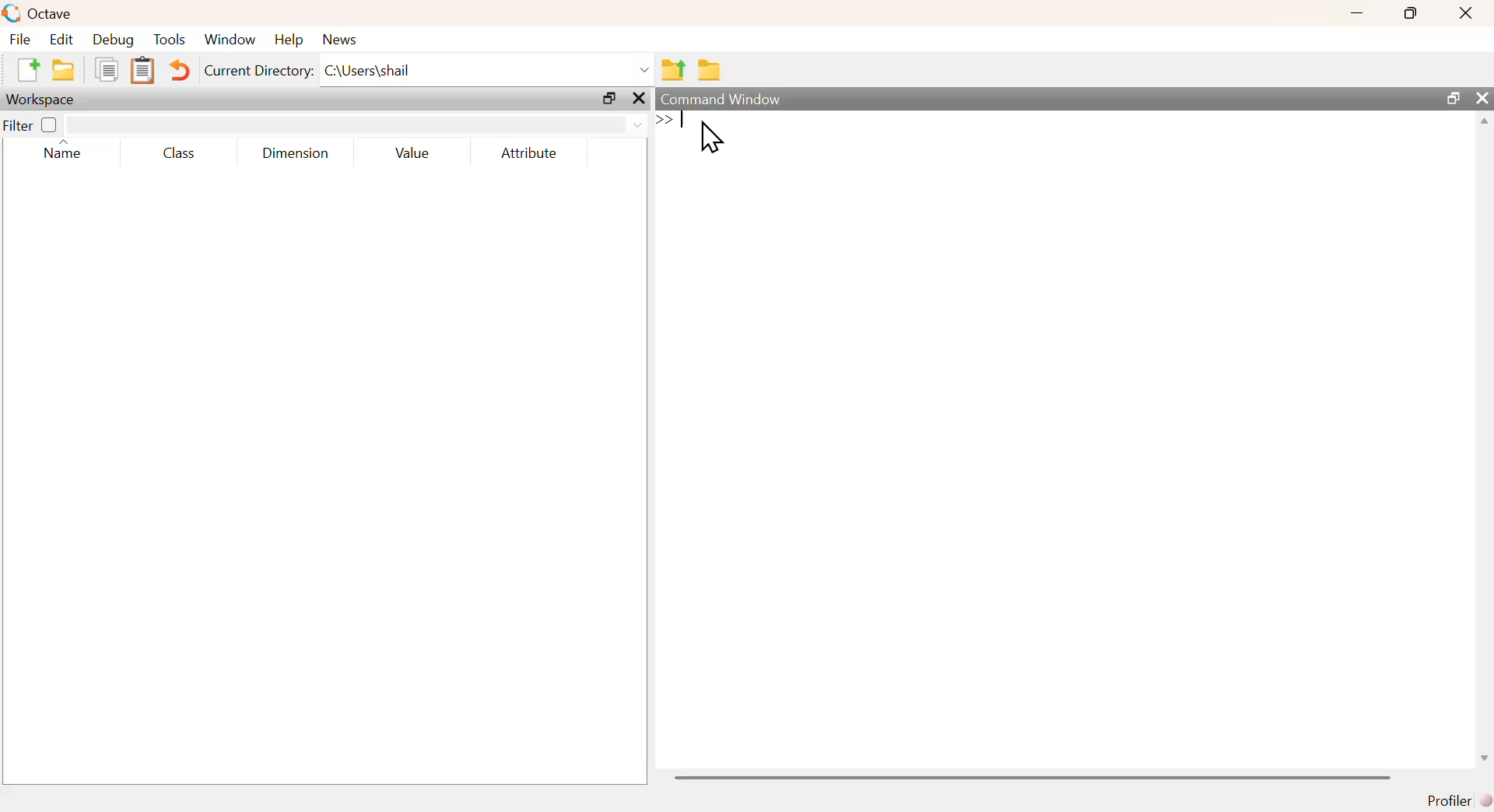 This screenshot has width=1494, height=812. What do you see at coordinates (1355, 15) in the screenshot?
I see `minimize` at bounding box center [1355, 15].